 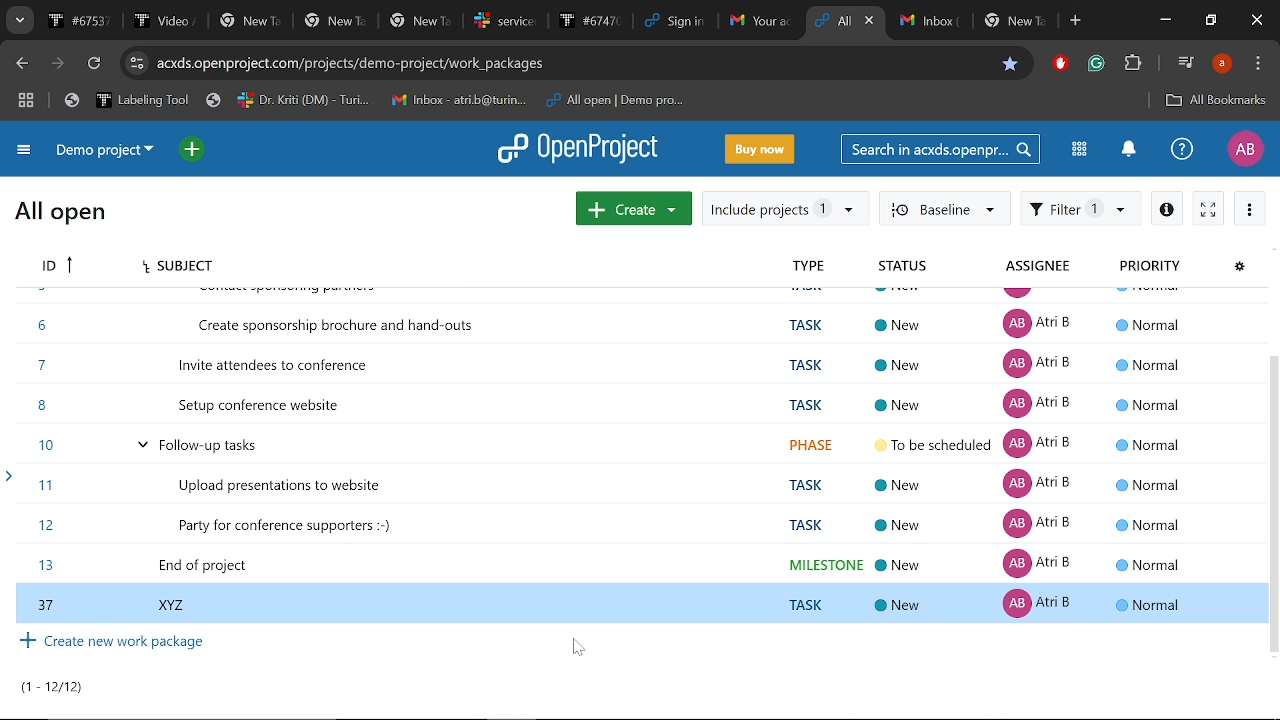 What do you see at coordinates (1182, 149) in the screenshot?
I see `Help` at bounding box center [1182, 149].